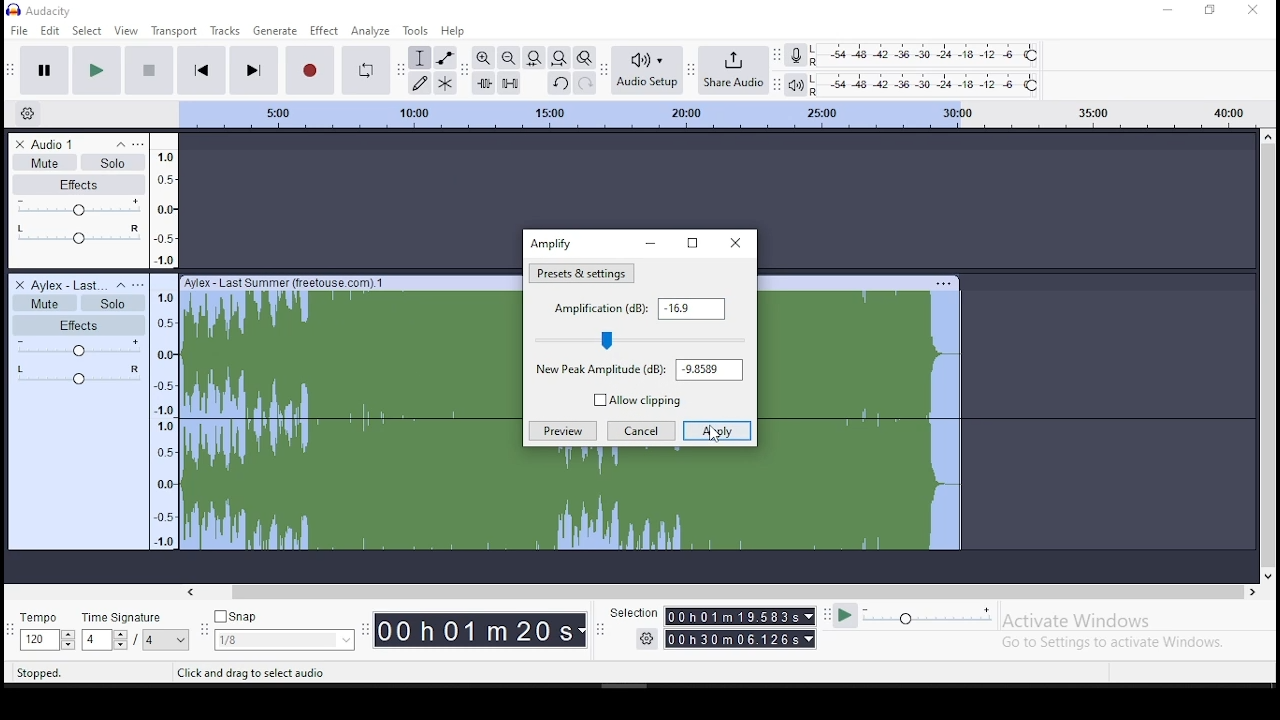  What do you see at coordinates (419, 58) in the screenshot?
I see `selection tool` at bounding box center [419, 58].